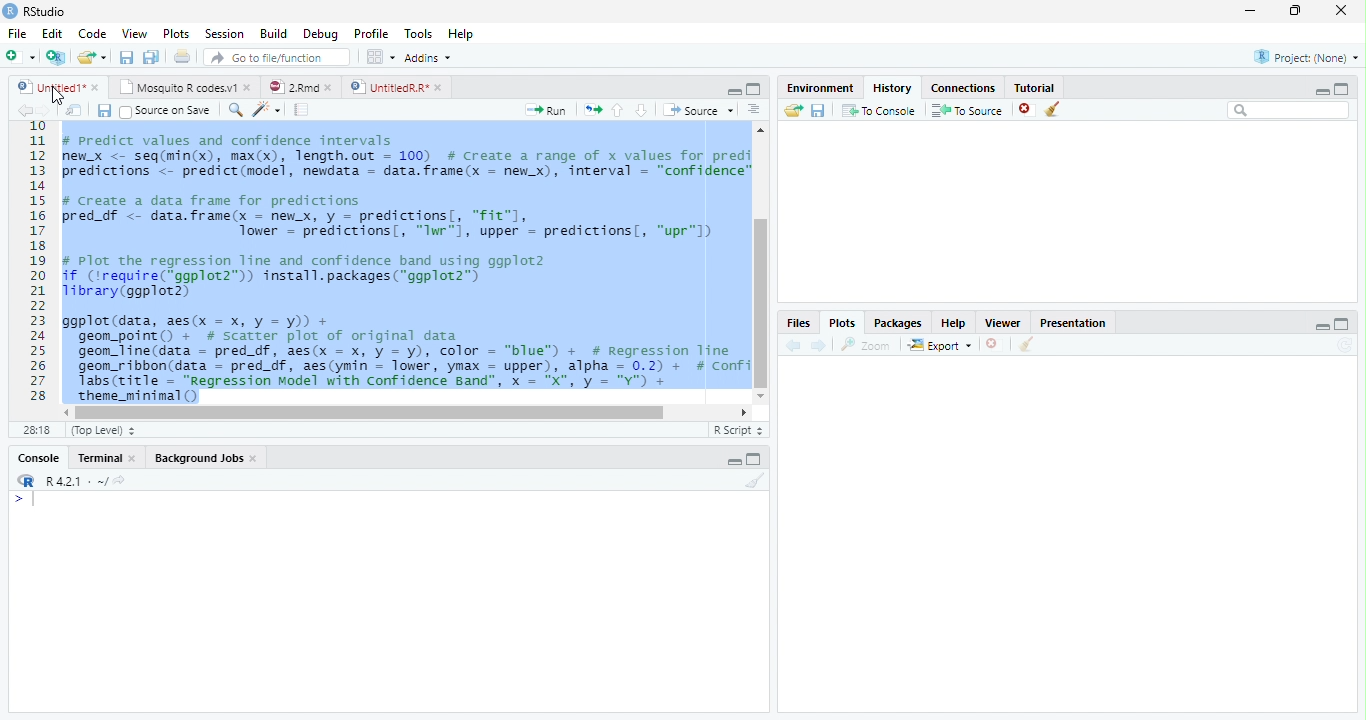 This screenshot has height=720, width=1366. What do you see at coordinates (278, 58) in the screenshot?
I see `Go to the file/function` at bounding box center [278, 58].